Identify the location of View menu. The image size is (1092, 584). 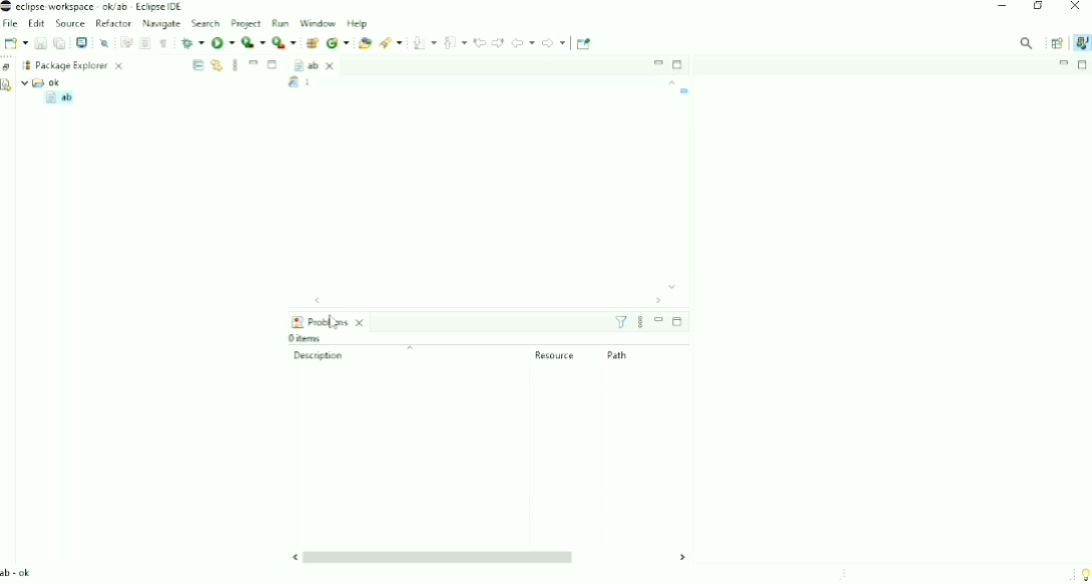
(640, 323).